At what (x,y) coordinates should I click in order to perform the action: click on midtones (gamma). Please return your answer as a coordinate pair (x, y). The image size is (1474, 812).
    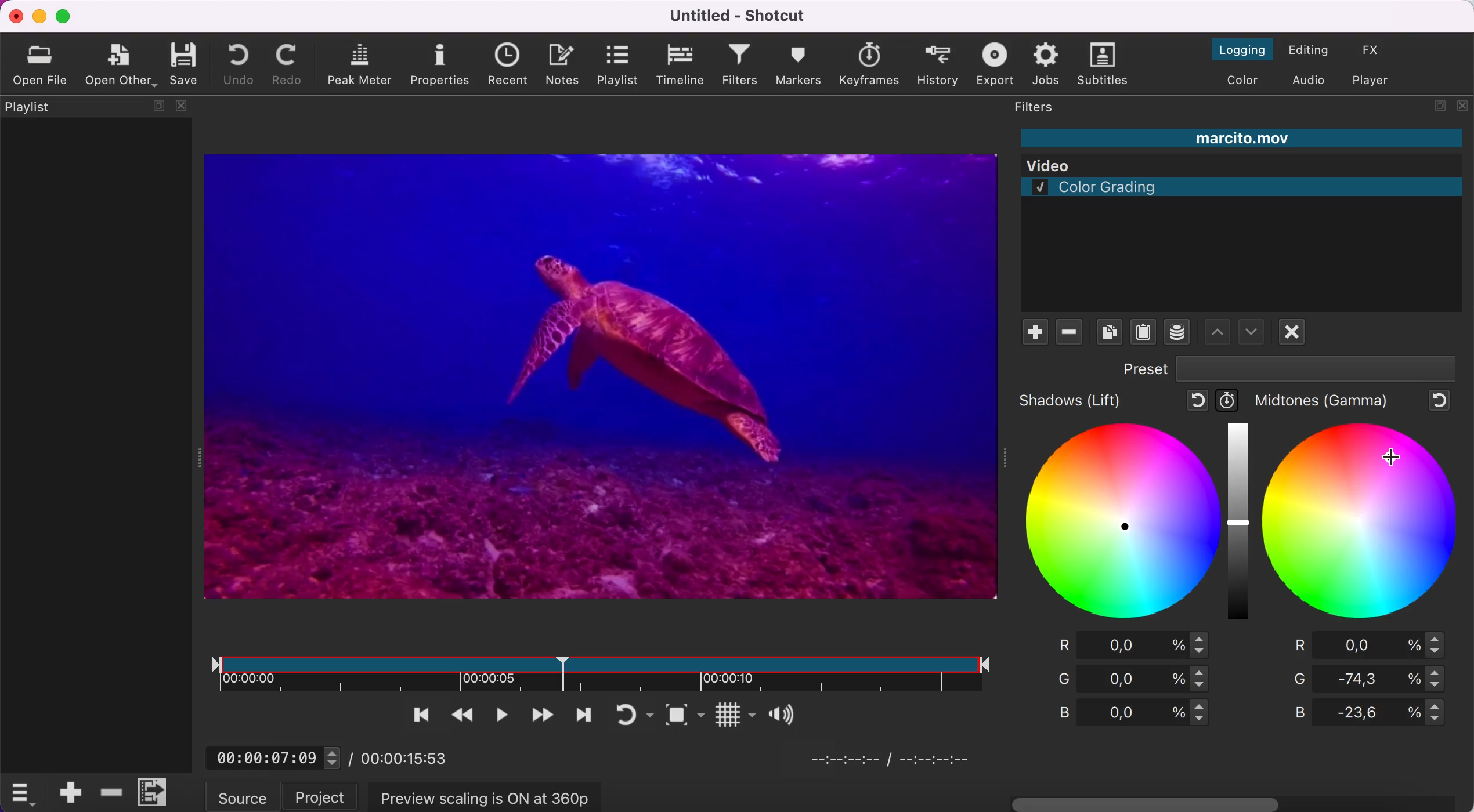
    Looking at the image, I should click on (1322, 401).